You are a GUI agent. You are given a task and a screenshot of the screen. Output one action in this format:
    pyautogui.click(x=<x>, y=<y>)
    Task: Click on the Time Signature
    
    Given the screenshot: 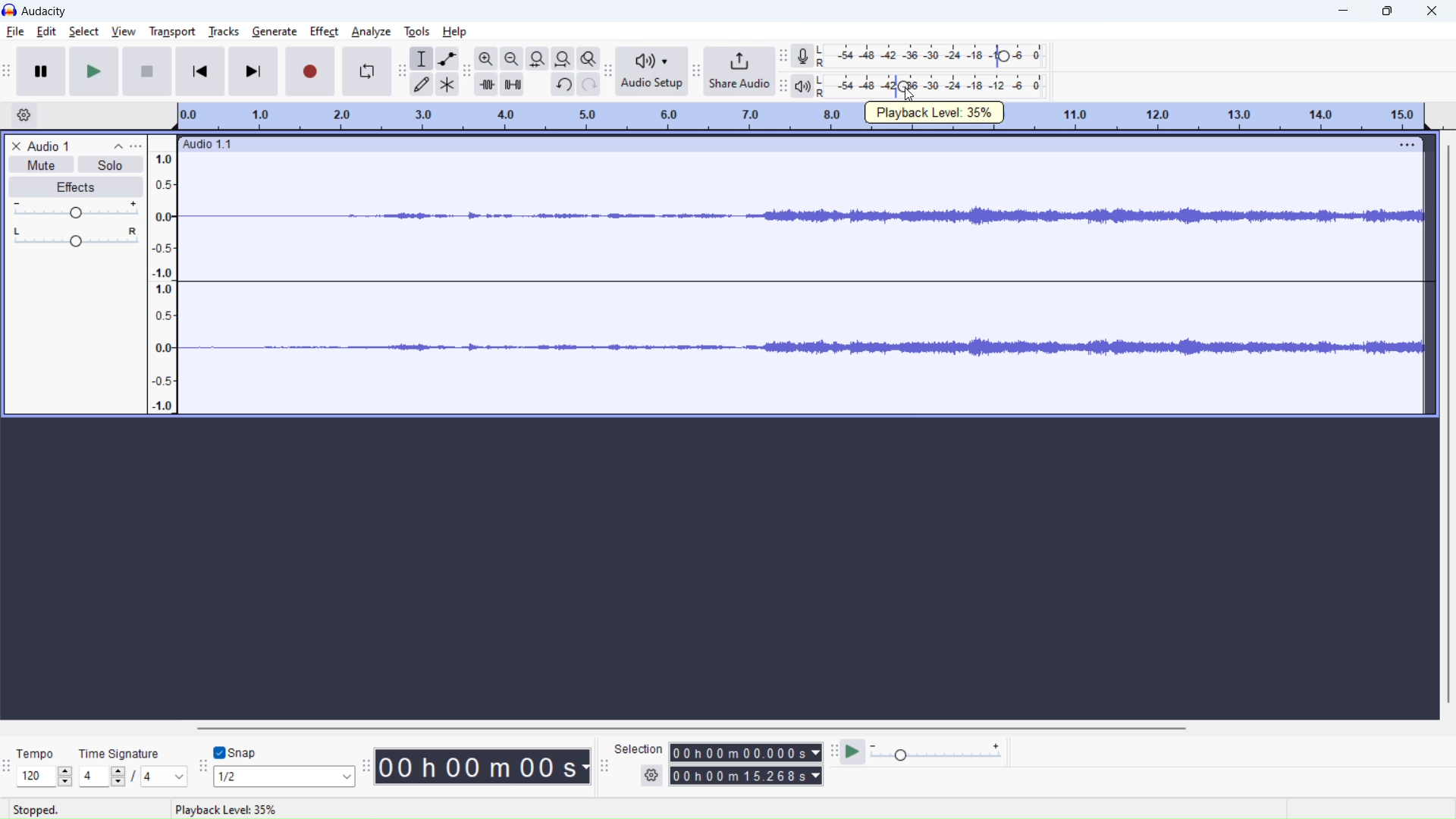 What is the action you would take?
    pyautogui.click(x=121, y=752)
    